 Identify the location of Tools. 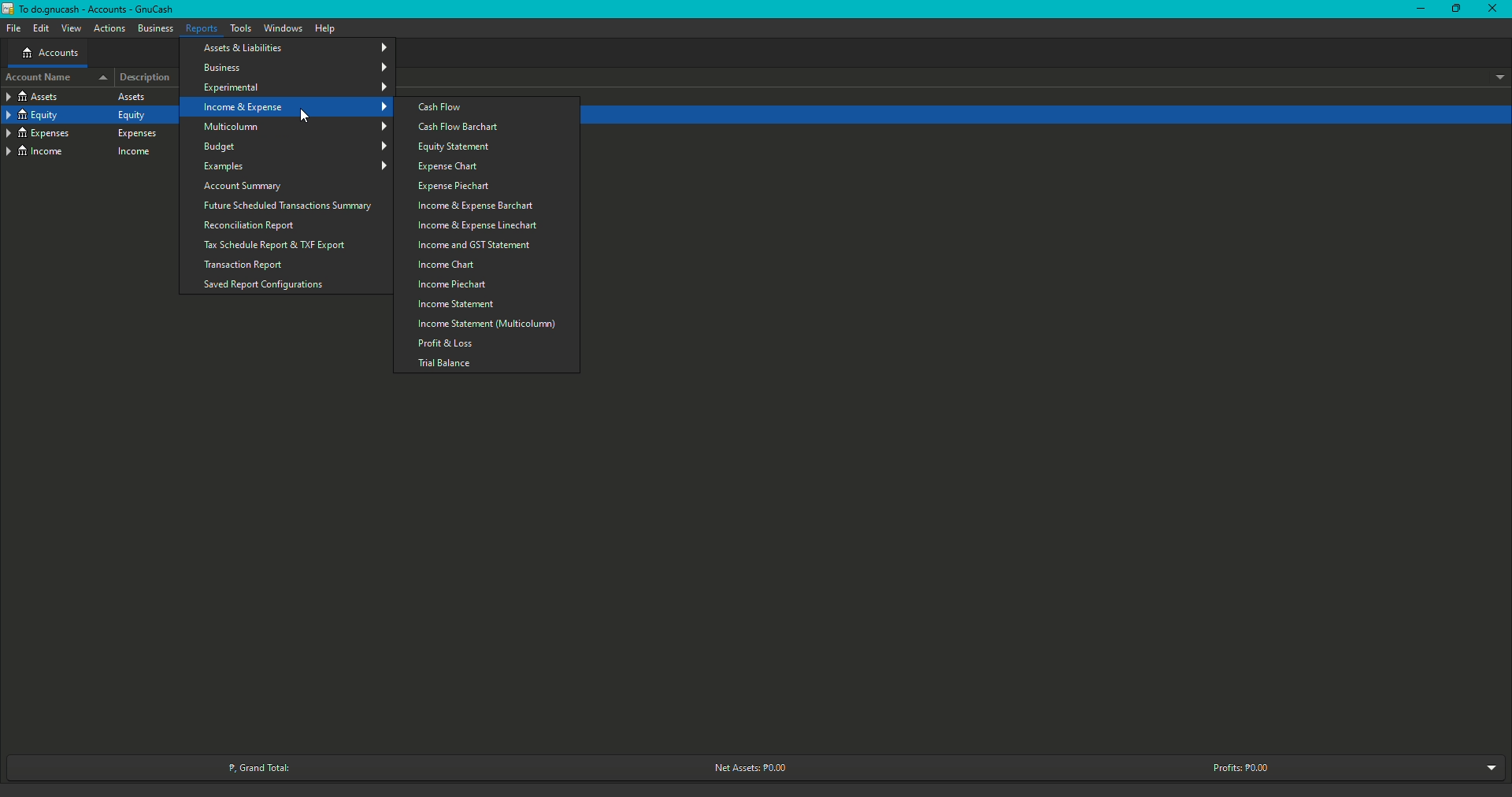
(243, 27).